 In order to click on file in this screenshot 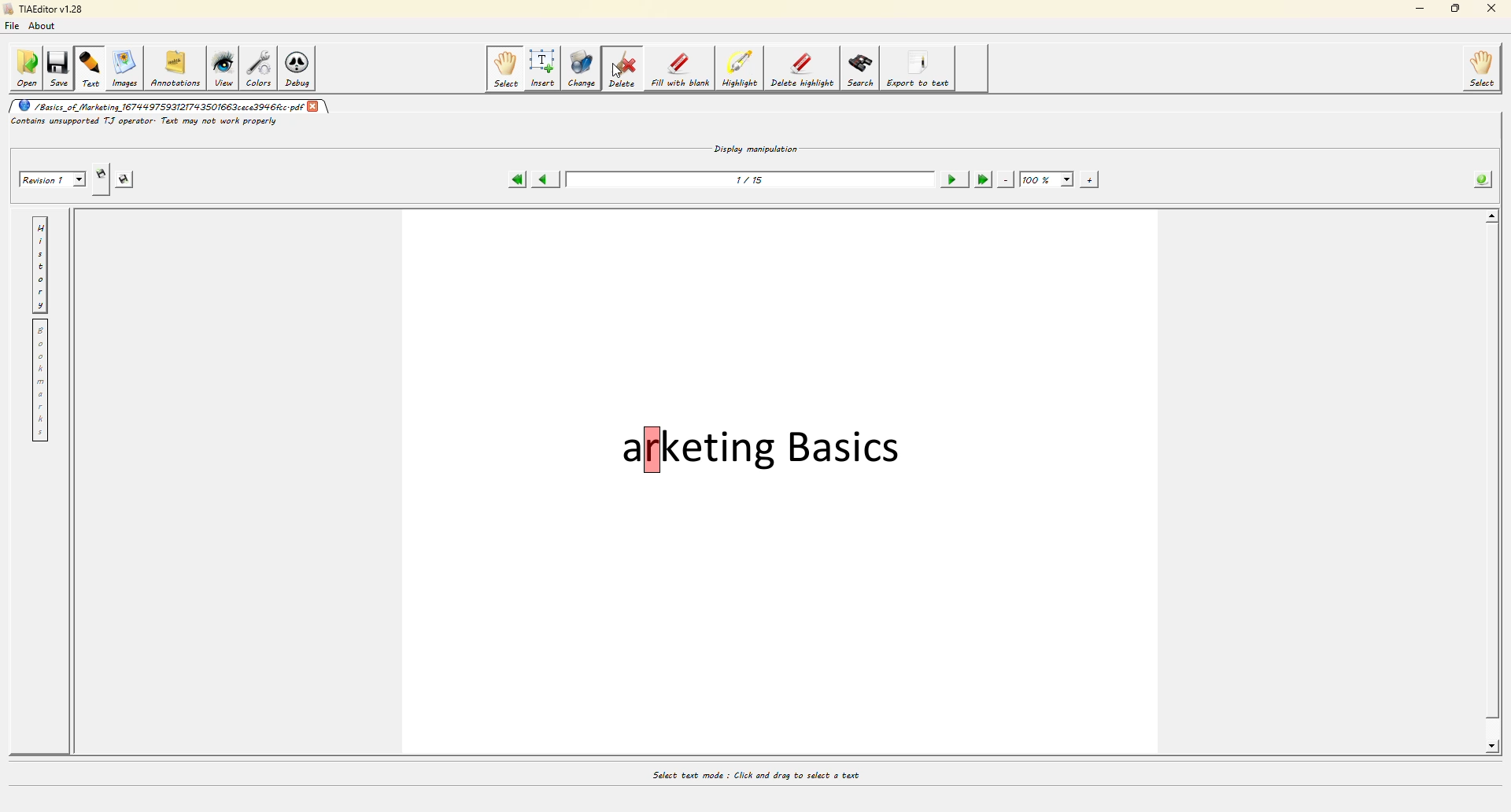, I will do `click(16, 28)`.